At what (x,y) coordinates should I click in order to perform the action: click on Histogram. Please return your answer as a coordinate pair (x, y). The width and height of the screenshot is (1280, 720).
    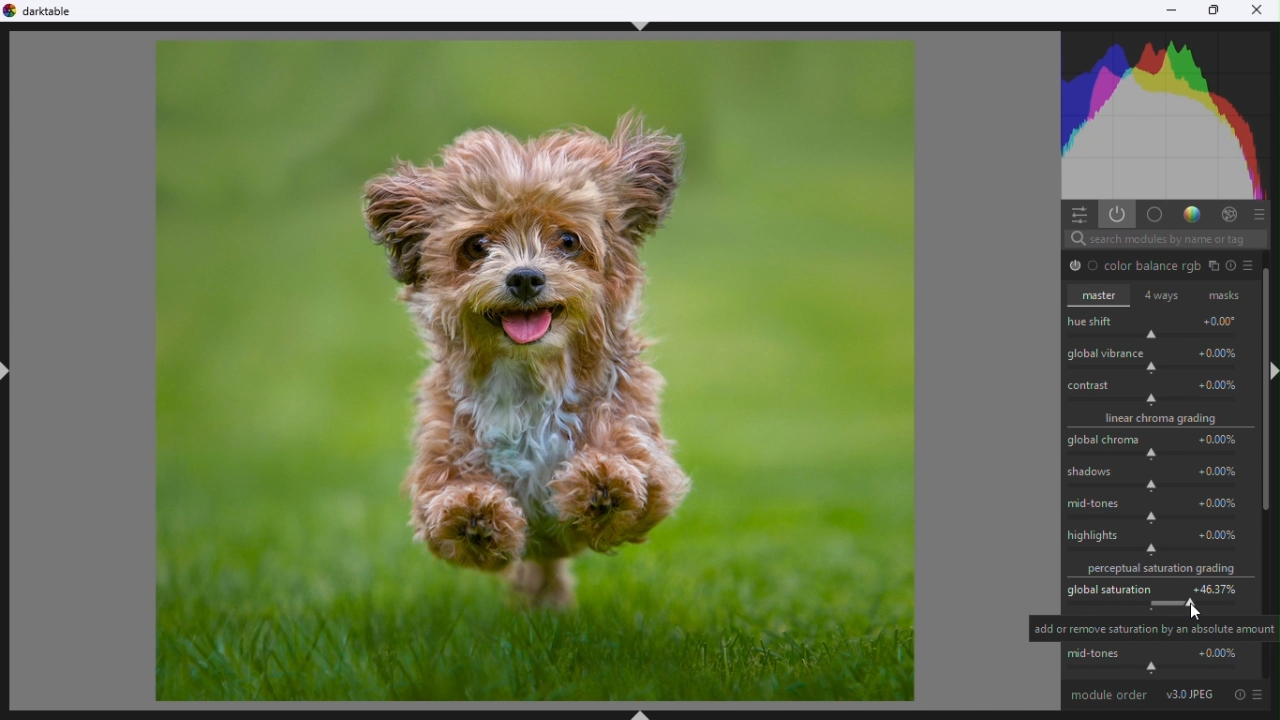
    Looking at the image, I should click on (1167, 114).